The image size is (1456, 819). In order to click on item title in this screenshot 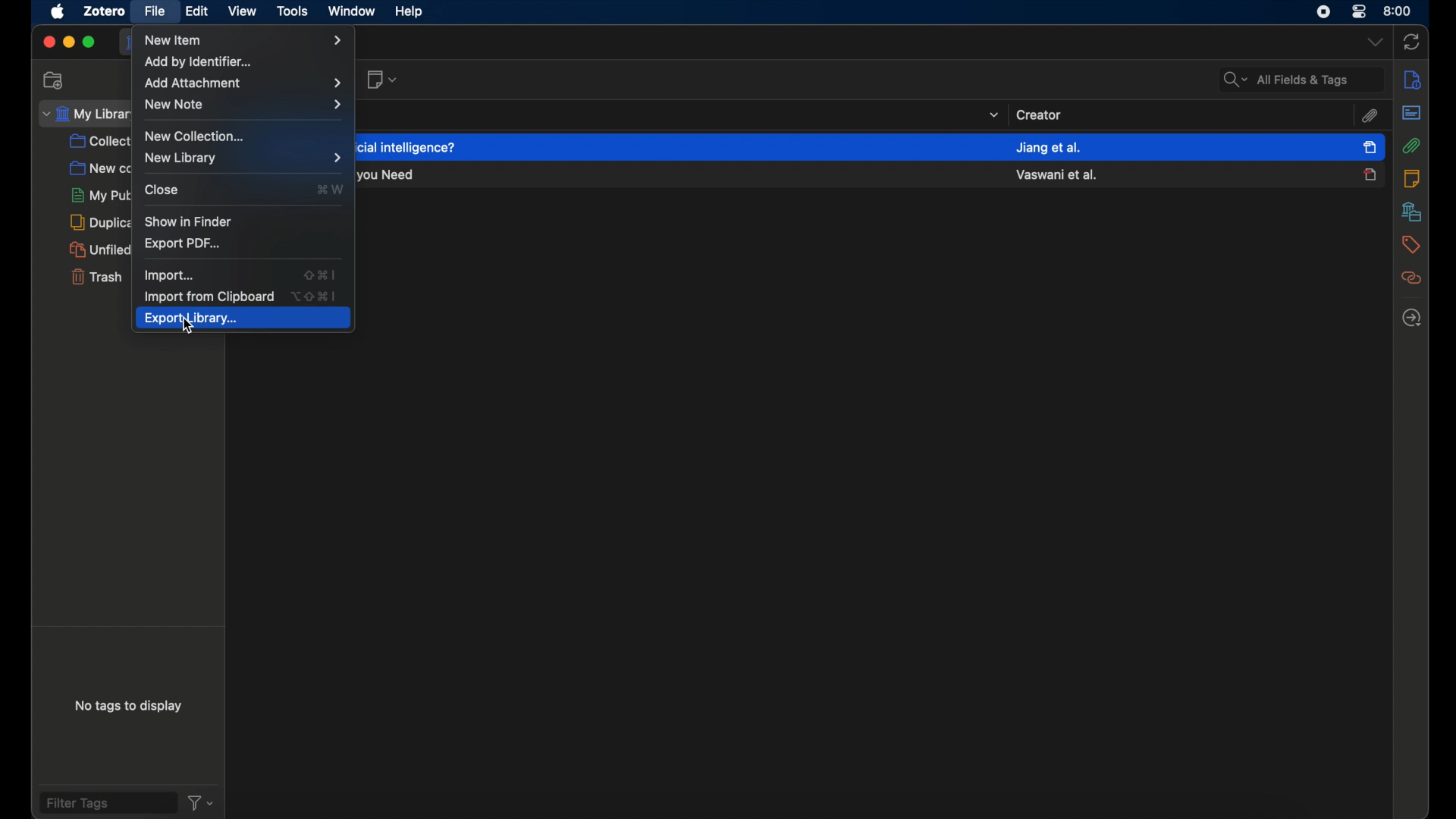, I will do `click(391, 177)`.